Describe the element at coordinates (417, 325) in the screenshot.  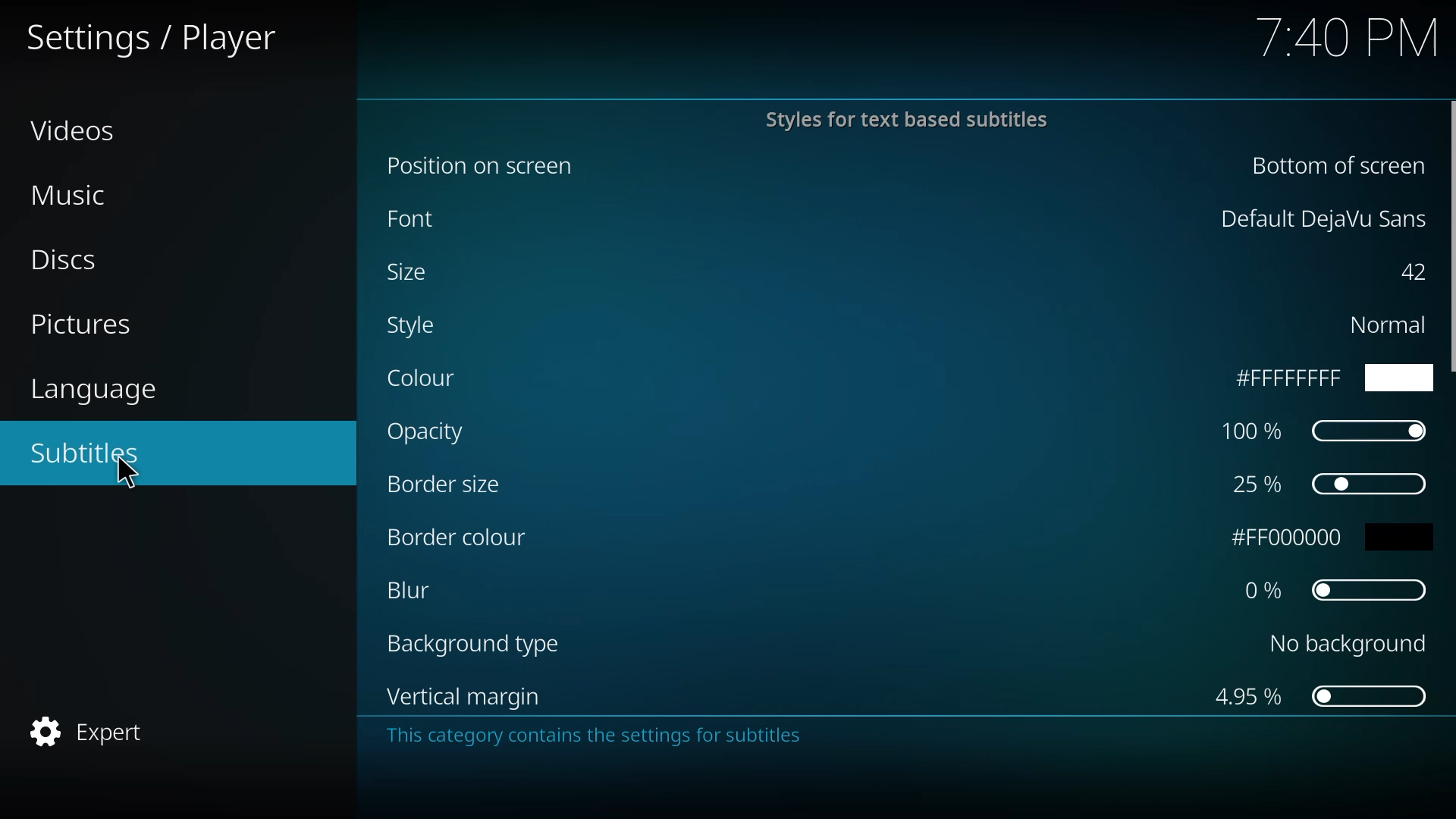
I see `style` at that location.